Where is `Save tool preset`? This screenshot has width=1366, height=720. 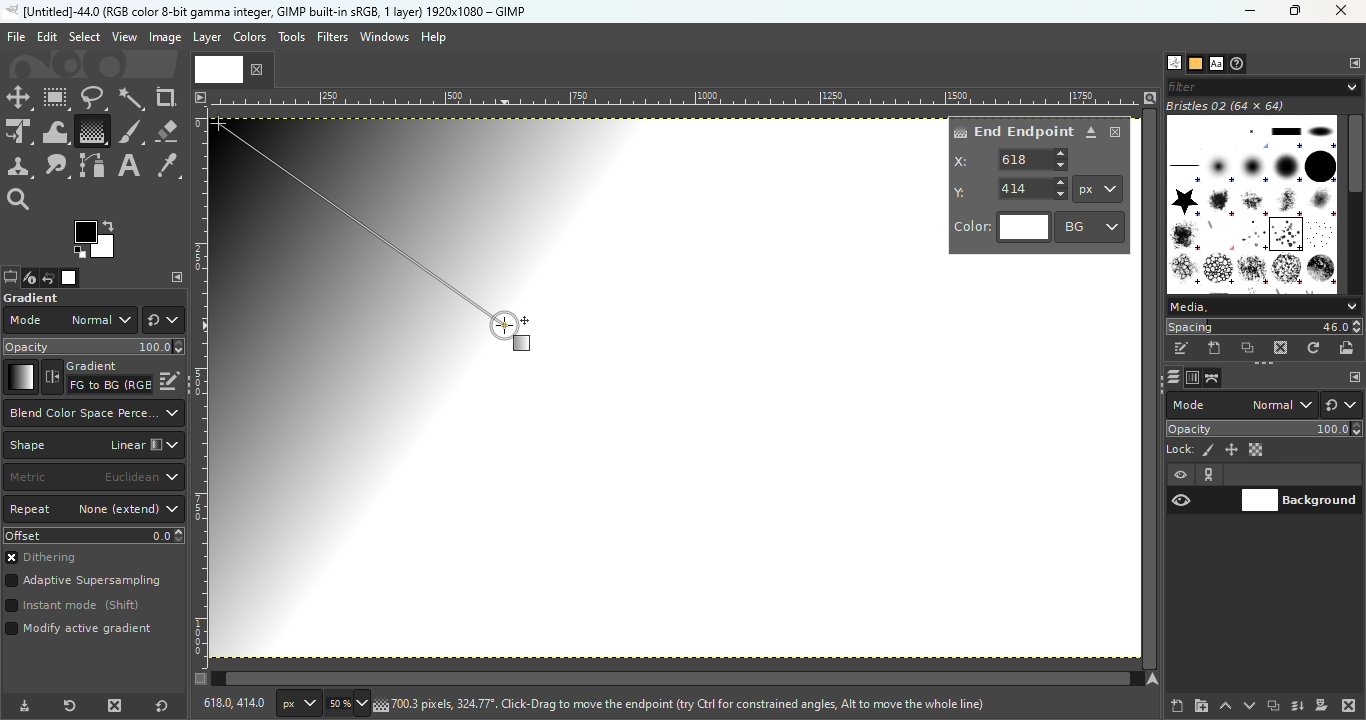
Save tool preset is located at coordinates (22, 707).